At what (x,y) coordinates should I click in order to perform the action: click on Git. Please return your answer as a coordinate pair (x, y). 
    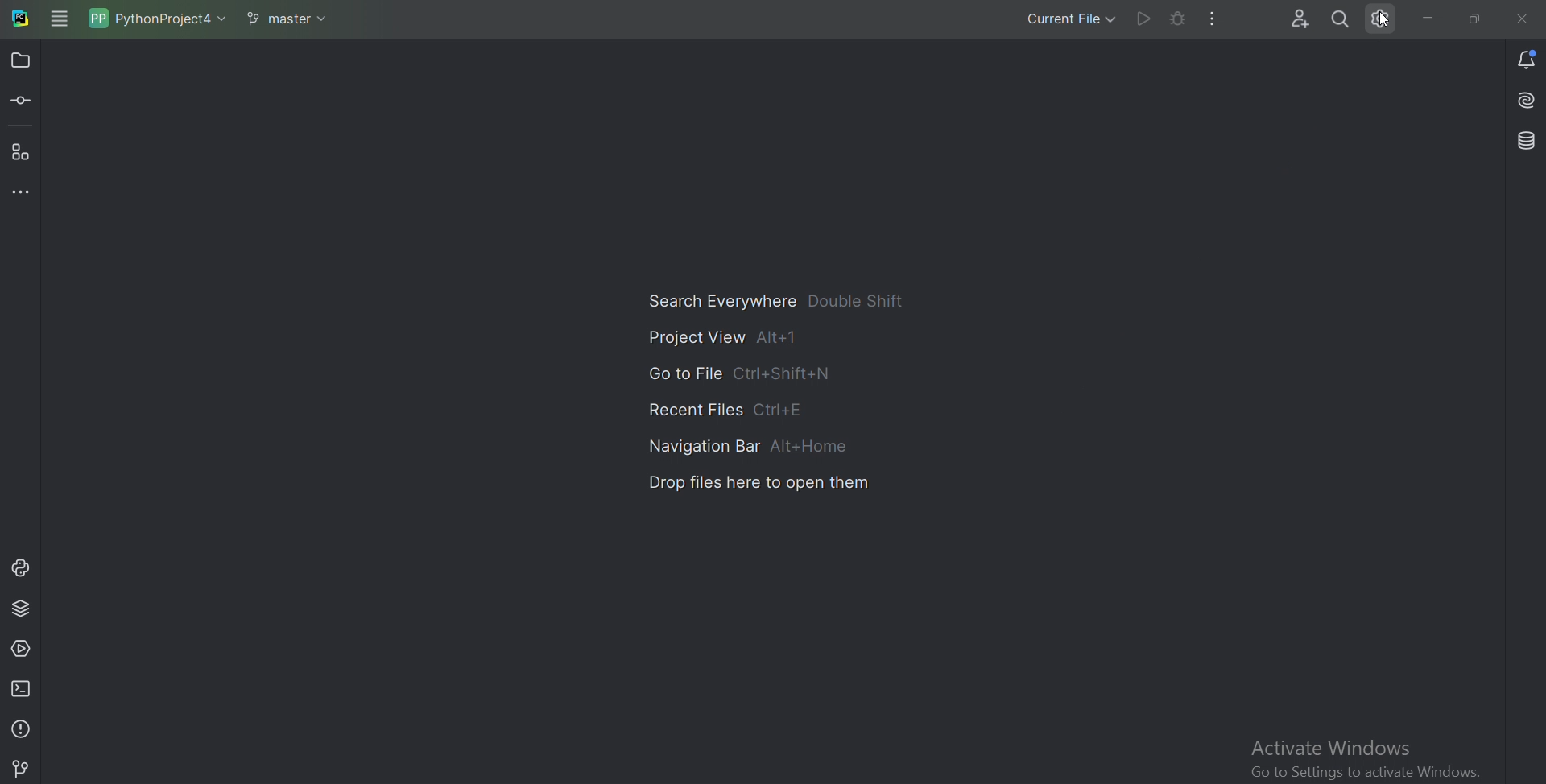
    Looking at the image, I should click on (23, 765).